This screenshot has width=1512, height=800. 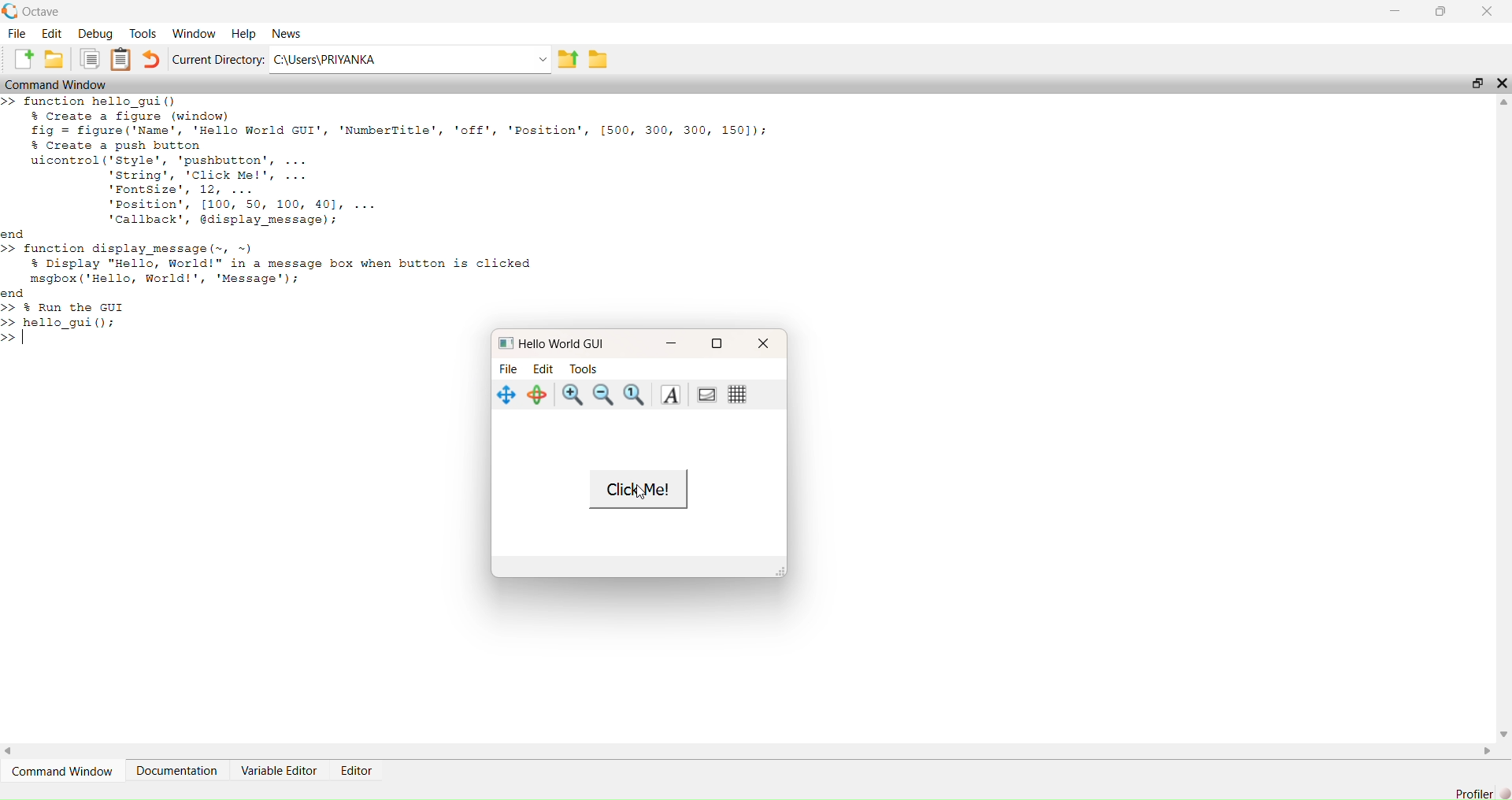 I want to click on Help, so click(x=243, y=30).